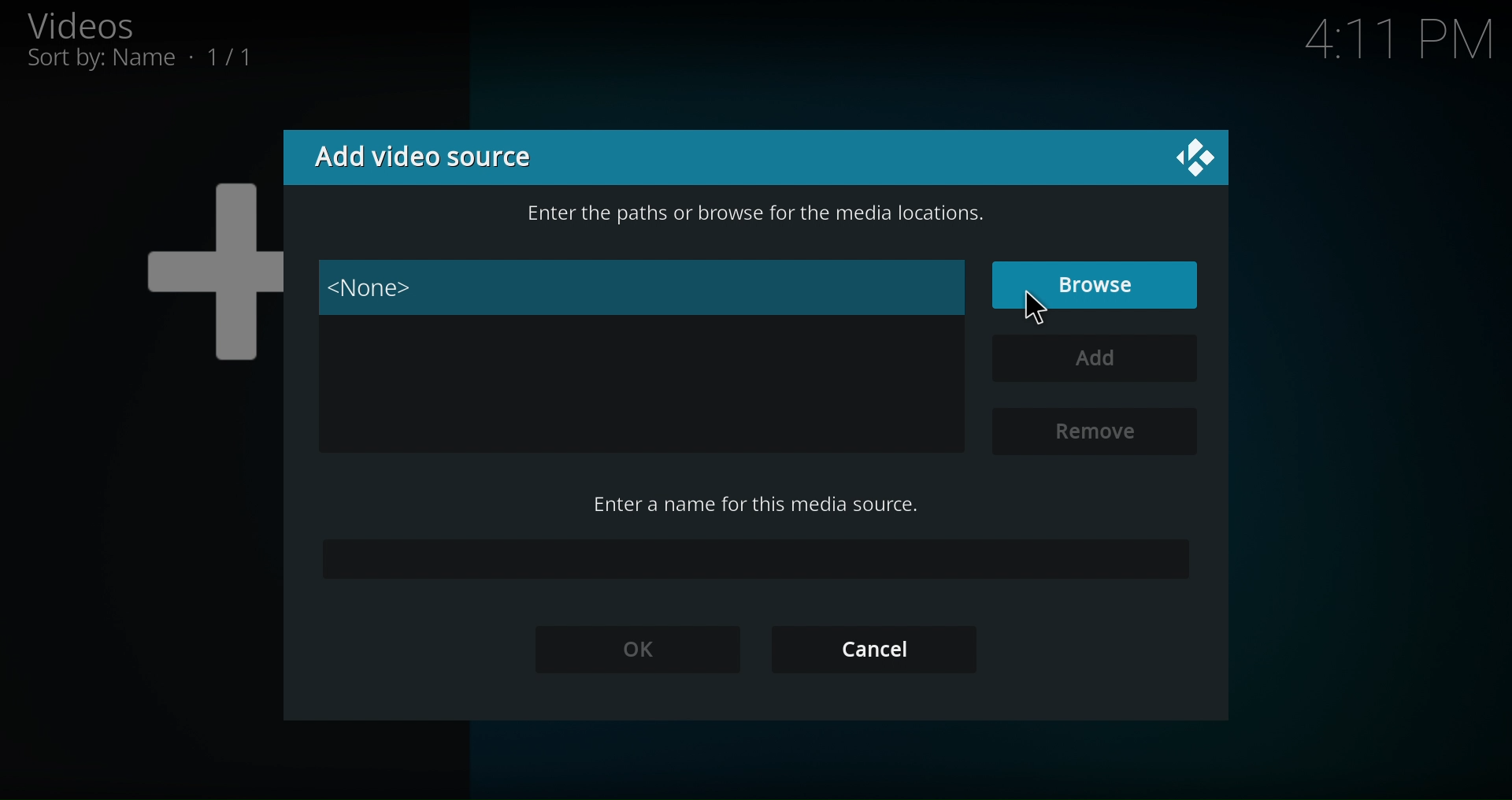  I want to click on Plus Icon, so click(179, 276).